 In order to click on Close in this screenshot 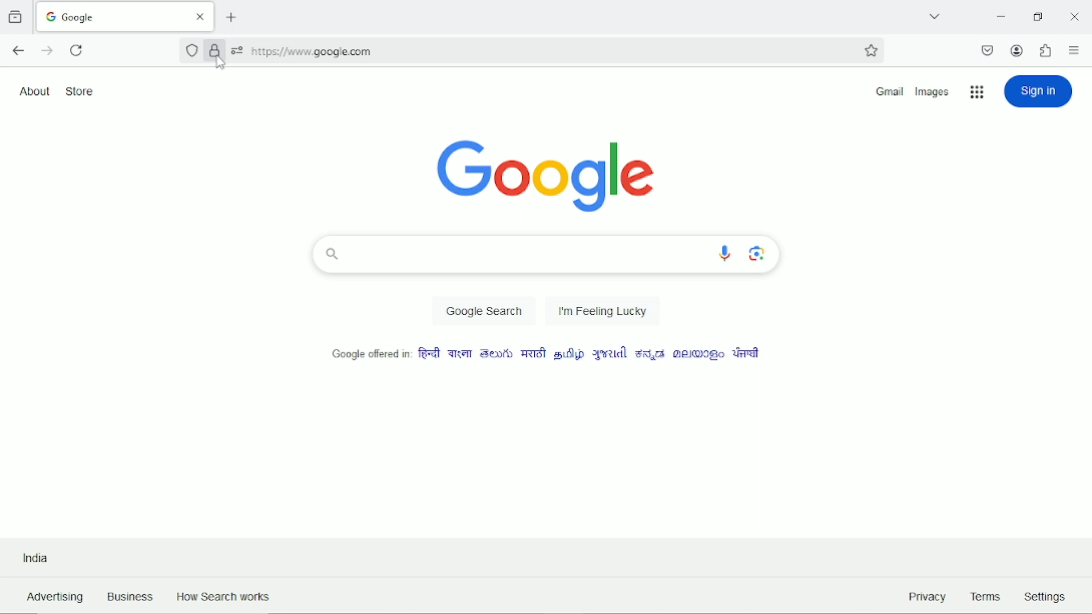, I will do `click(1074, 15)`.